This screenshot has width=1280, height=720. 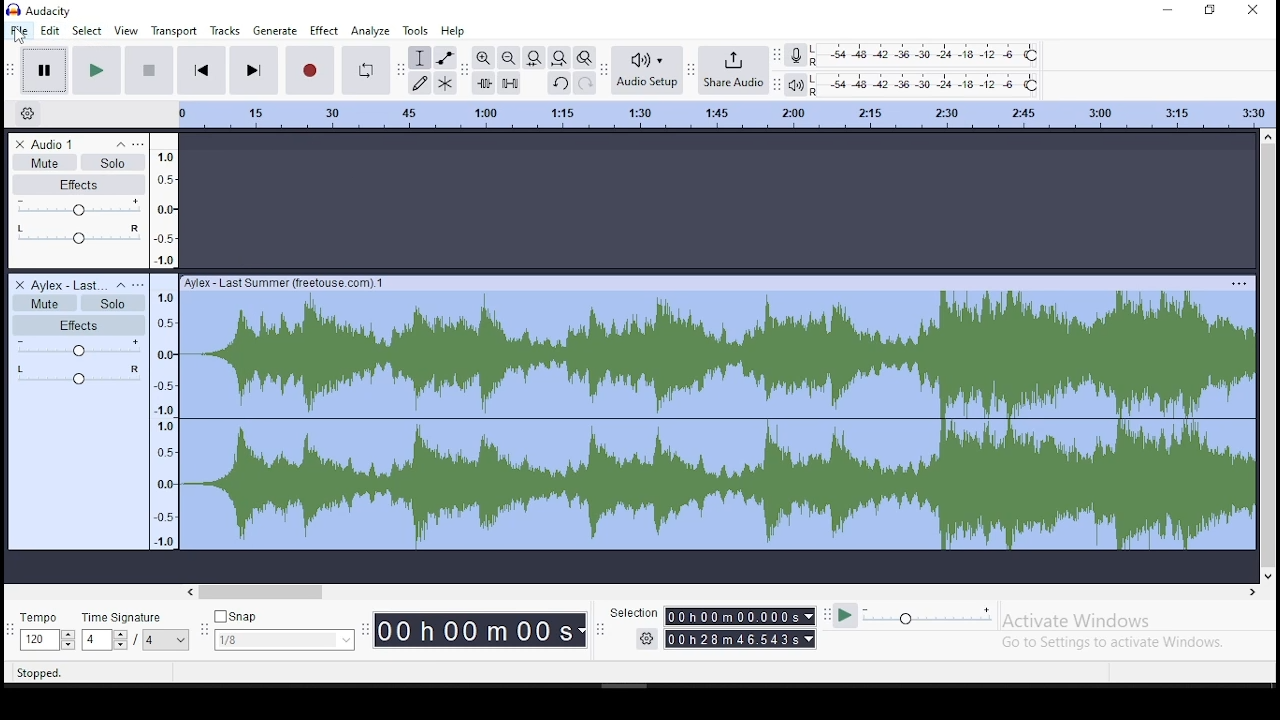 I want to click on minimize, so click(x=1165, y=10).